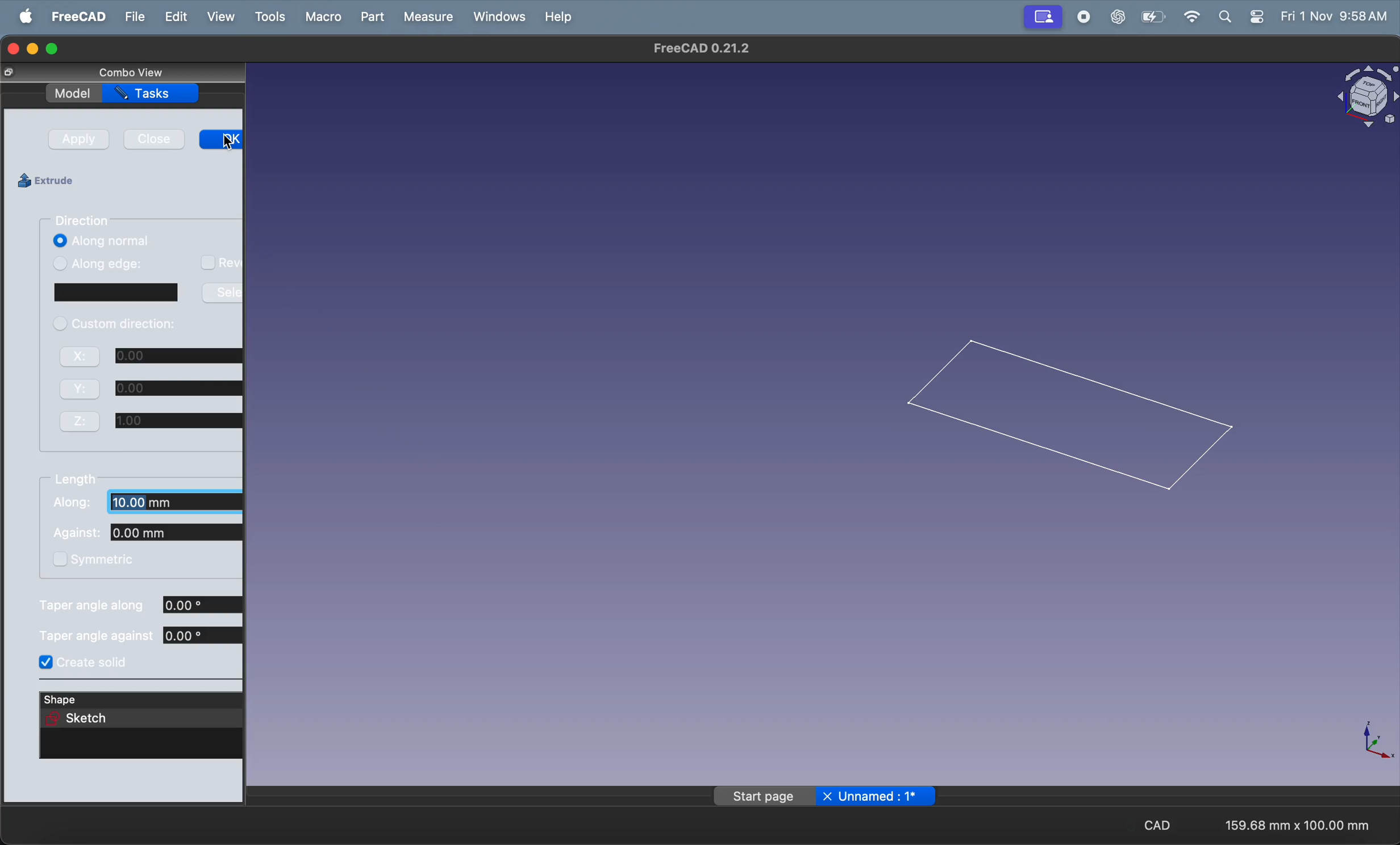 The width and height of the screenshot is (1400, 845). What do you see at coordinates (1041, 17) in the screenshot?
I see `screen mirror` at bounding box center [1041, 17].